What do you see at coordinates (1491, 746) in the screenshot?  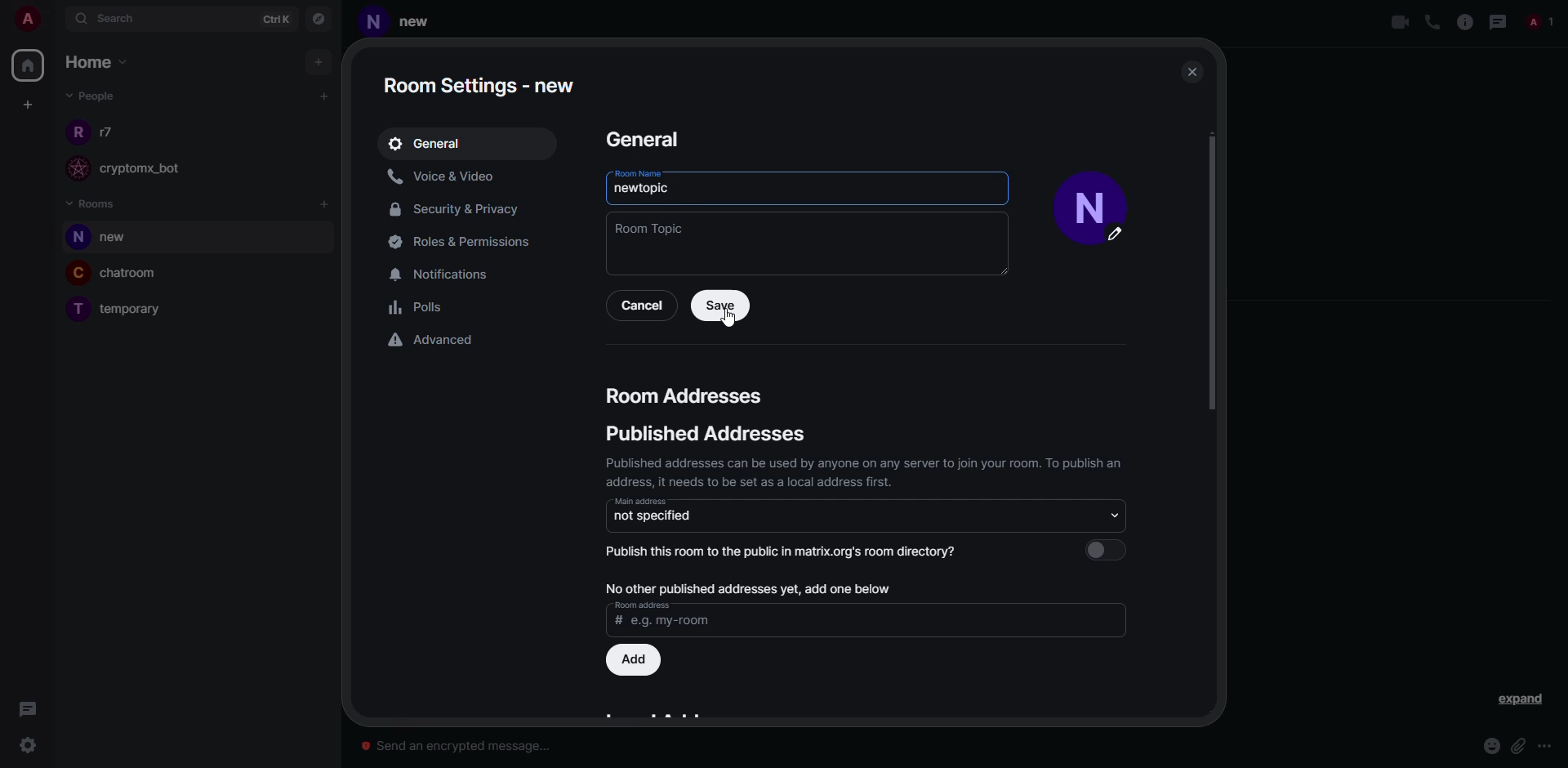 I see `emoji` at bounding box center [1491, 746].